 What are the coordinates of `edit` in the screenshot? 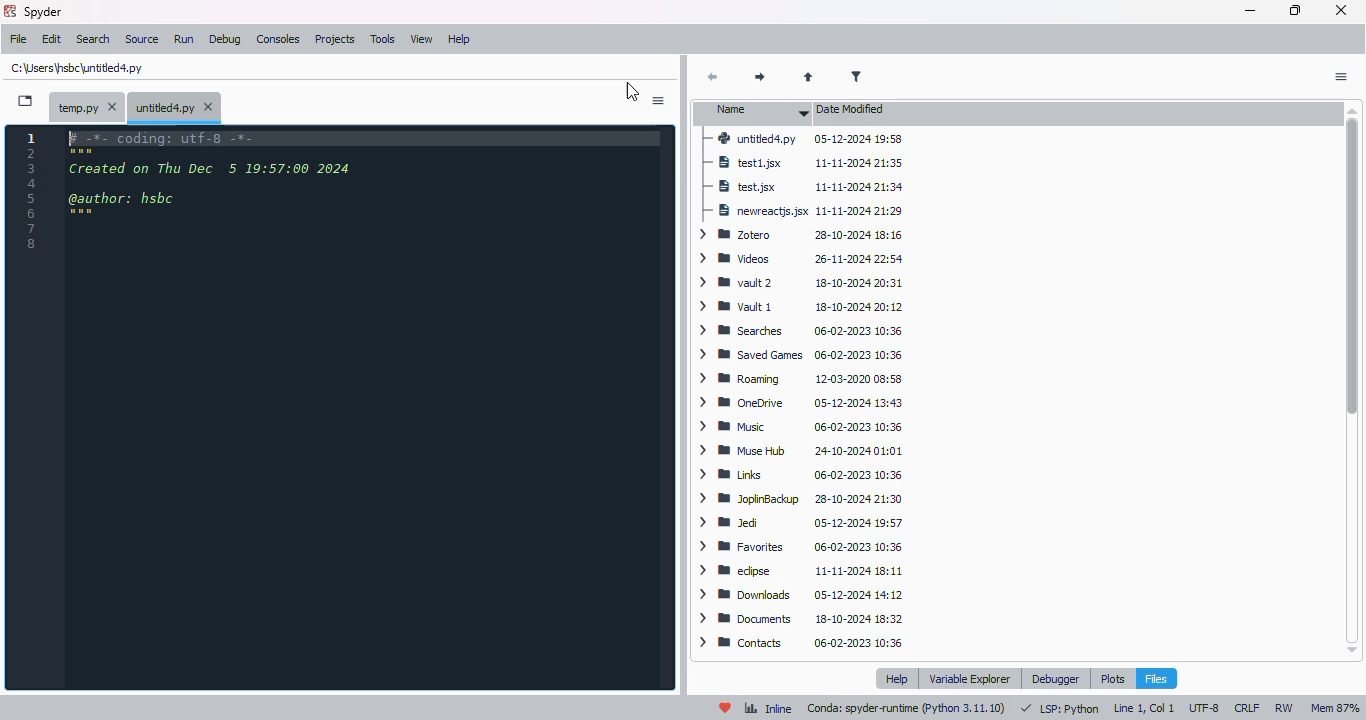 It's located at (52, 39).